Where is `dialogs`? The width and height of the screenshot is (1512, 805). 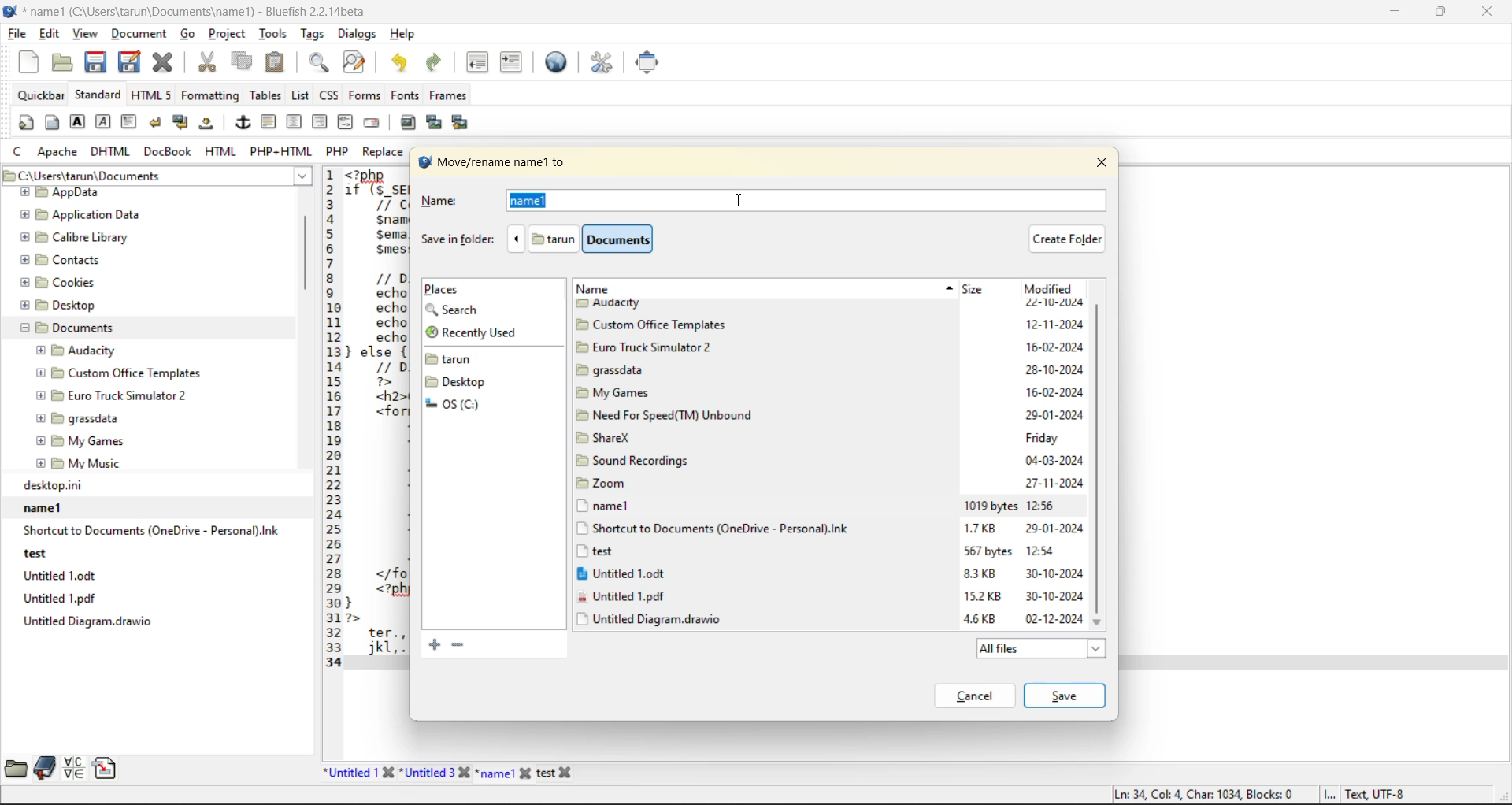 dialogs is located at coordinates (357, 35).